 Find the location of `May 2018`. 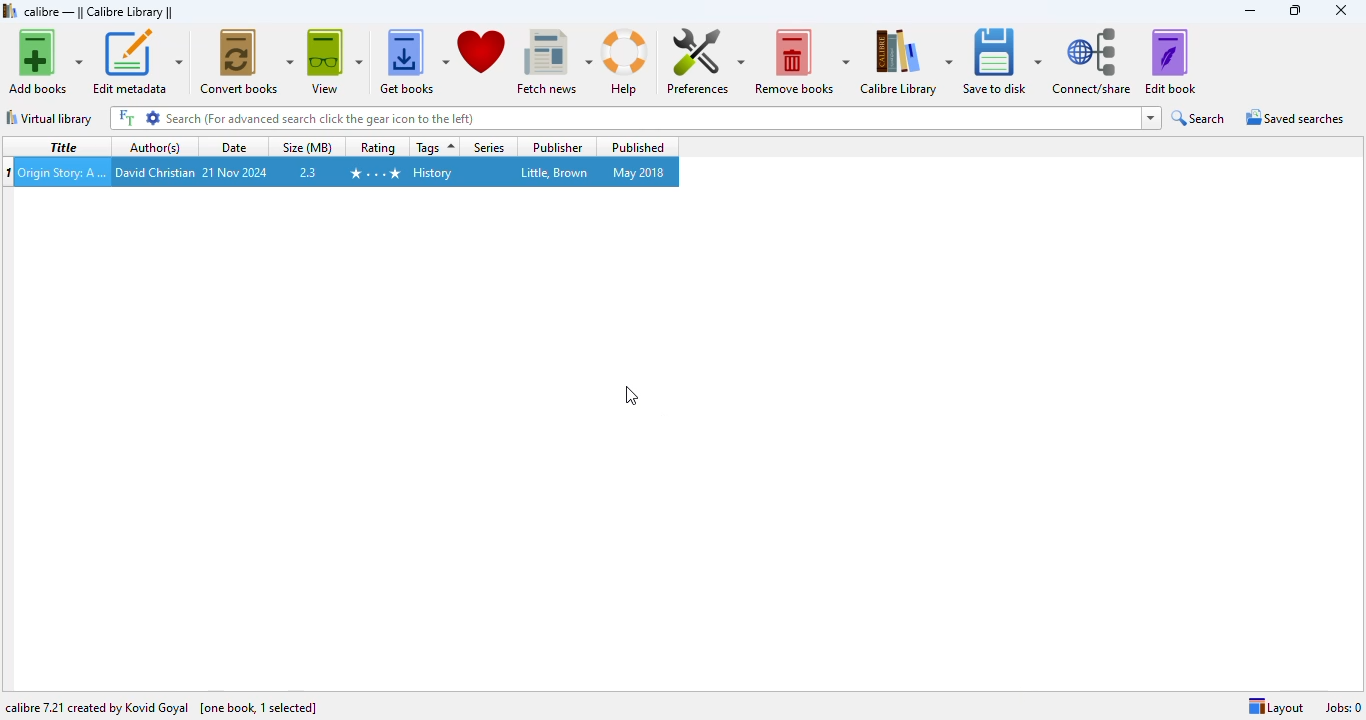

May 2018 is located at coordinates (639, 172).